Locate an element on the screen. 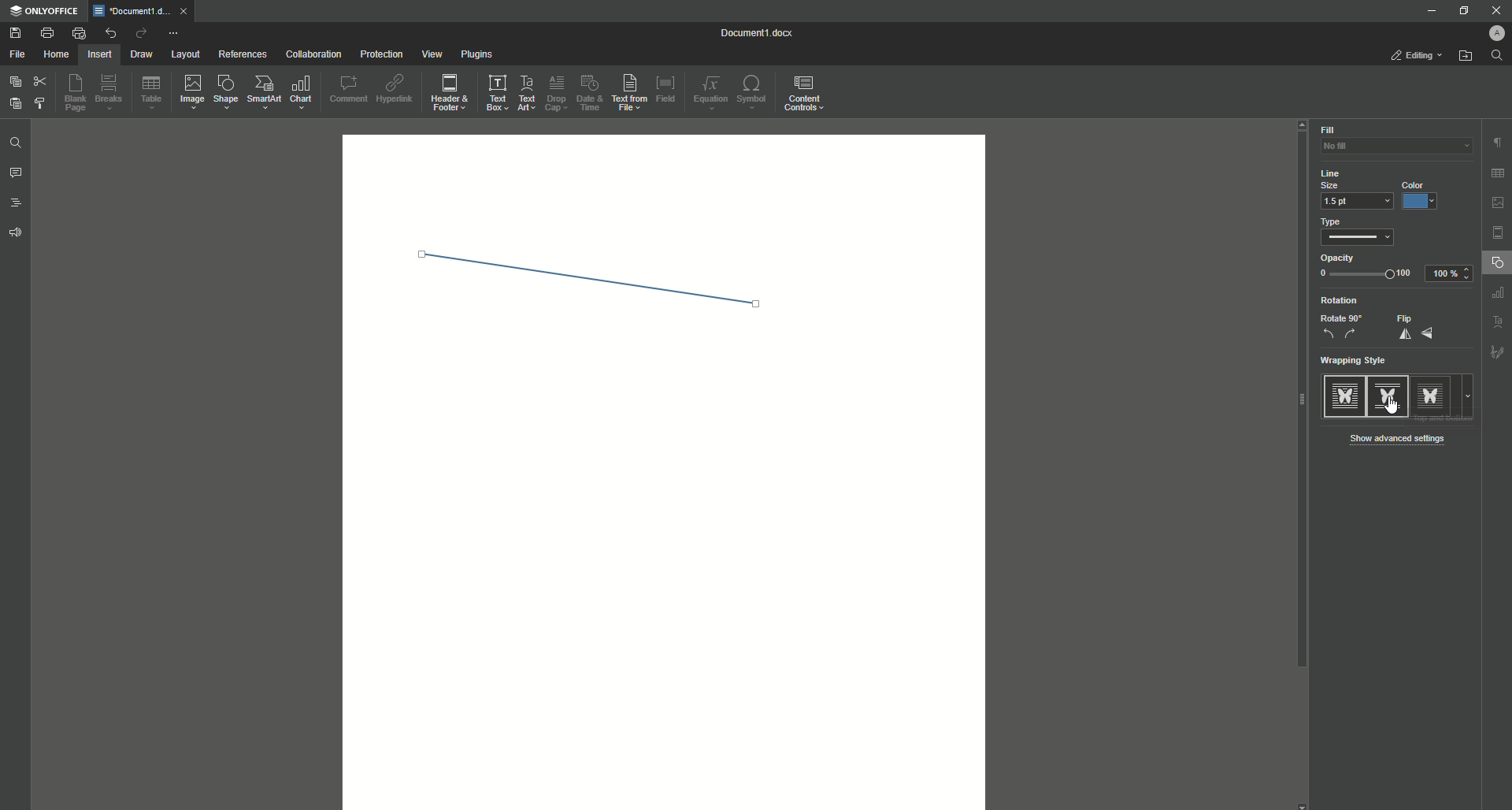  tab 1 is located at coordinates (145, 11).